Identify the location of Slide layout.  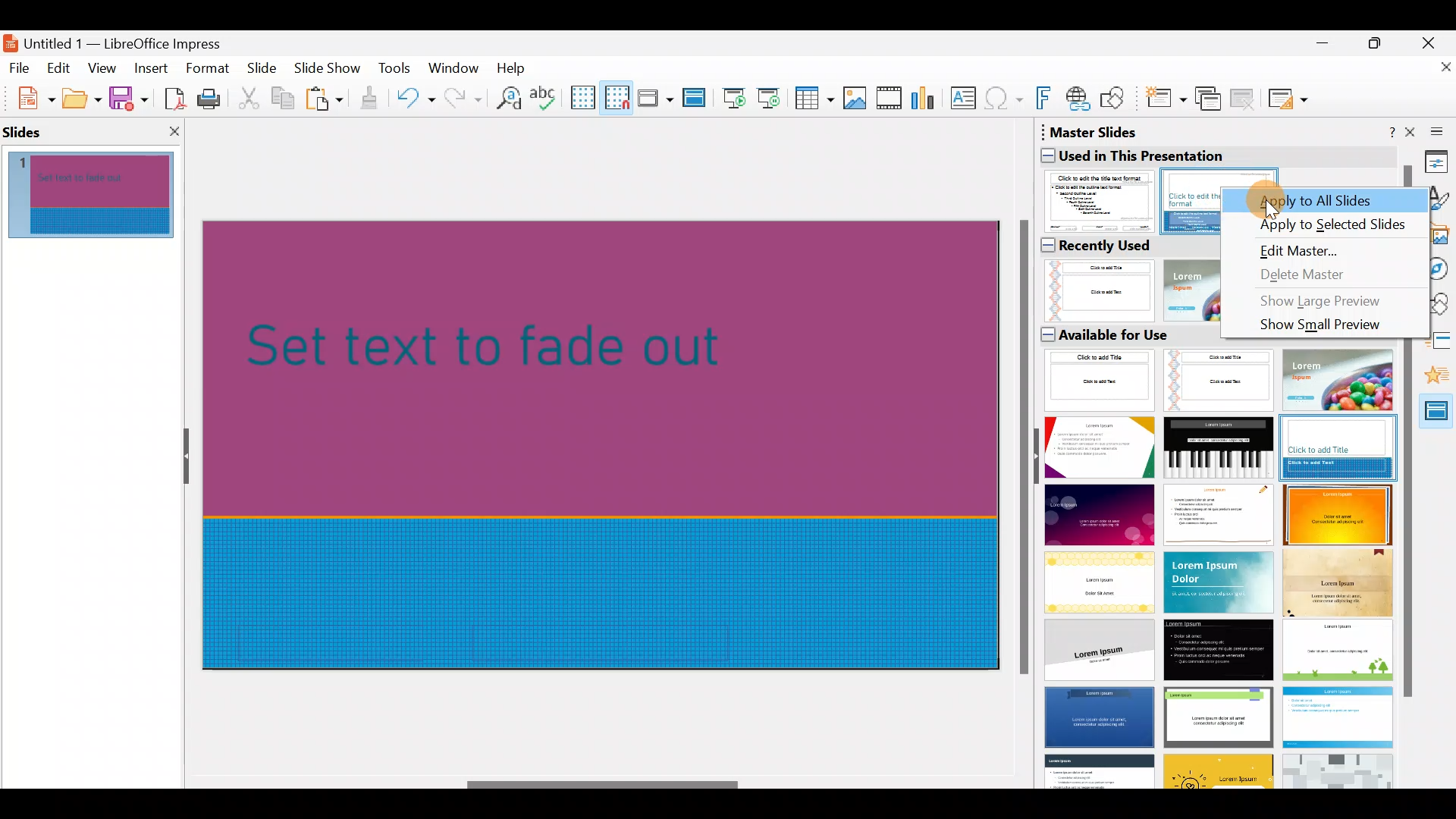
(1289, 99).